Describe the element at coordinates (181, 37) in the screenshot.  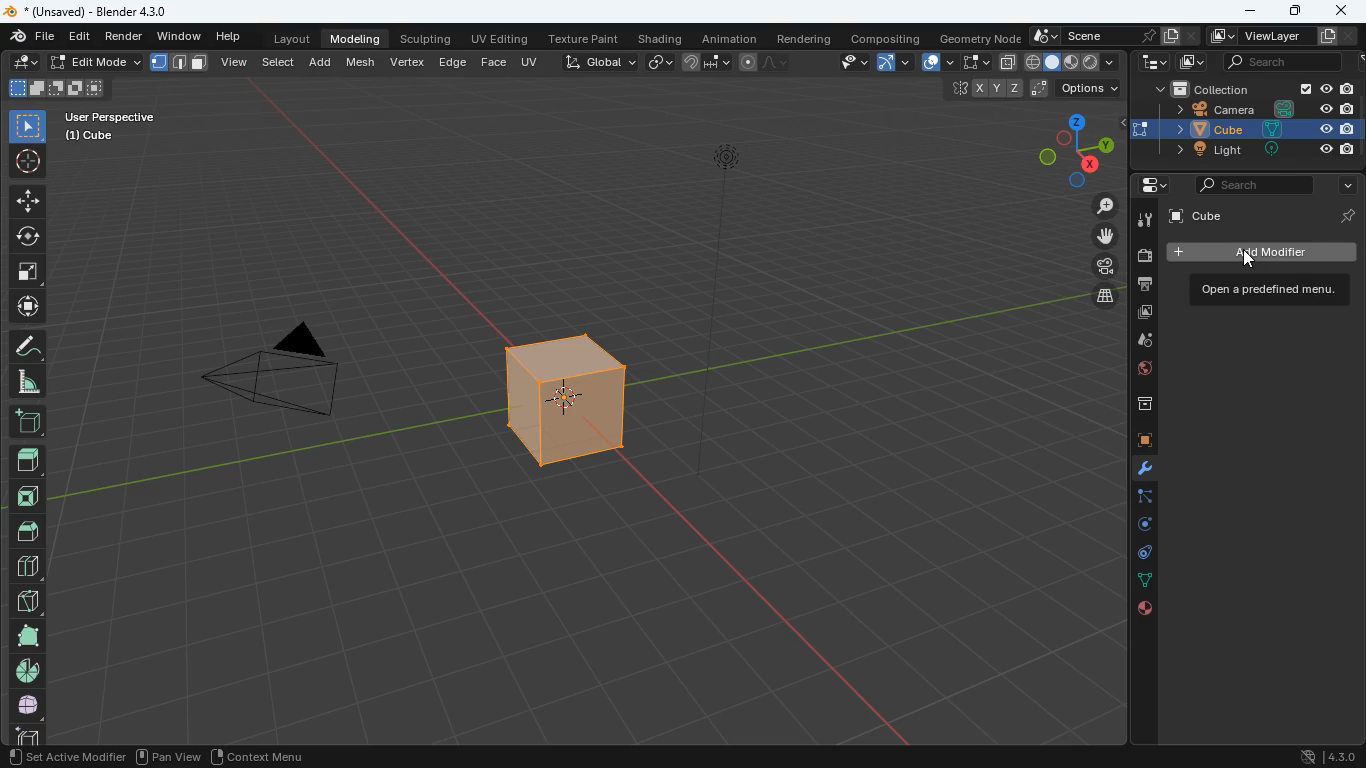
I see `window` at that location.